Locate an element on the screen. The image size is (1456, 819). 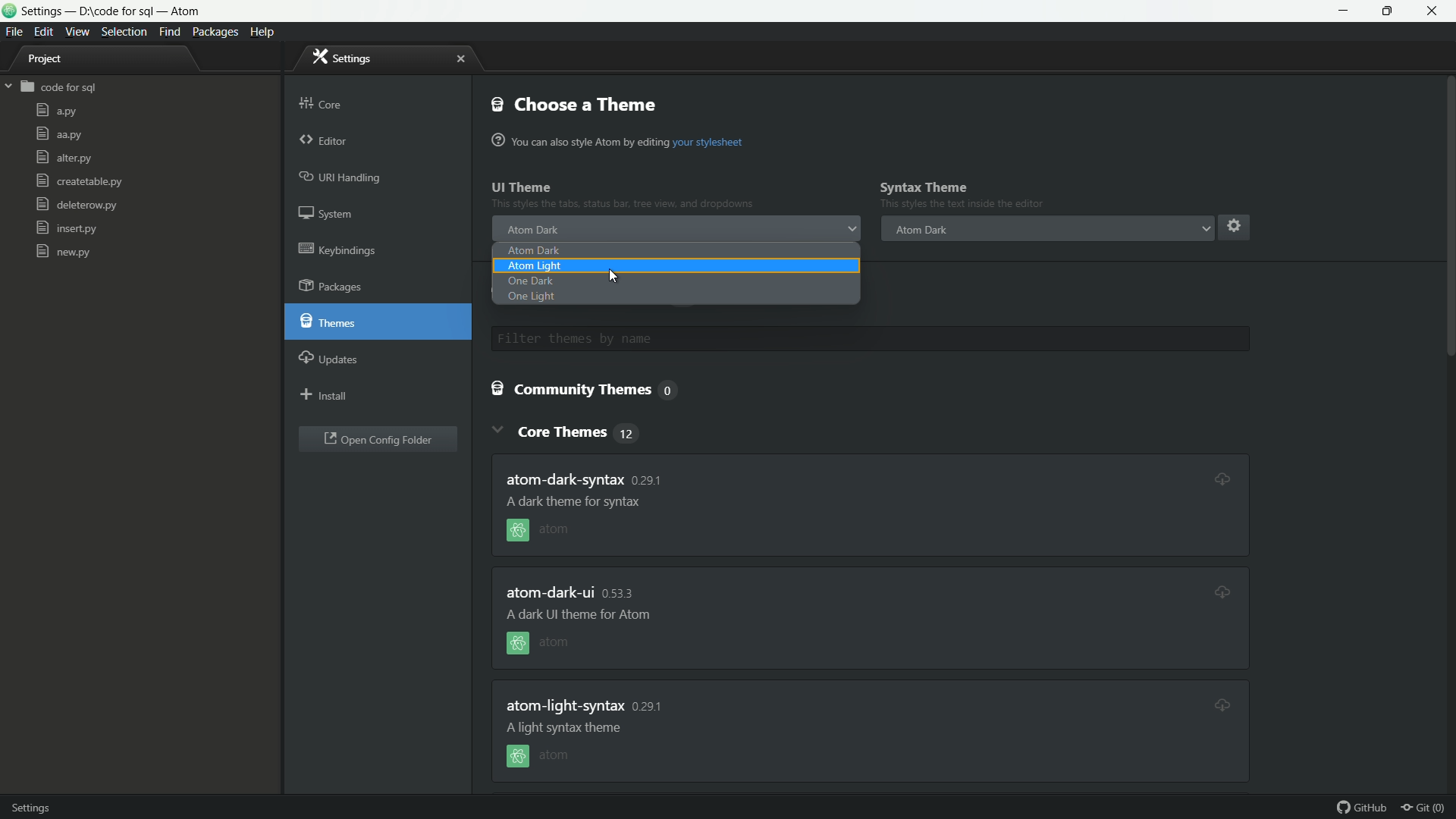
alter.py file is located at coordinates (62, 158).